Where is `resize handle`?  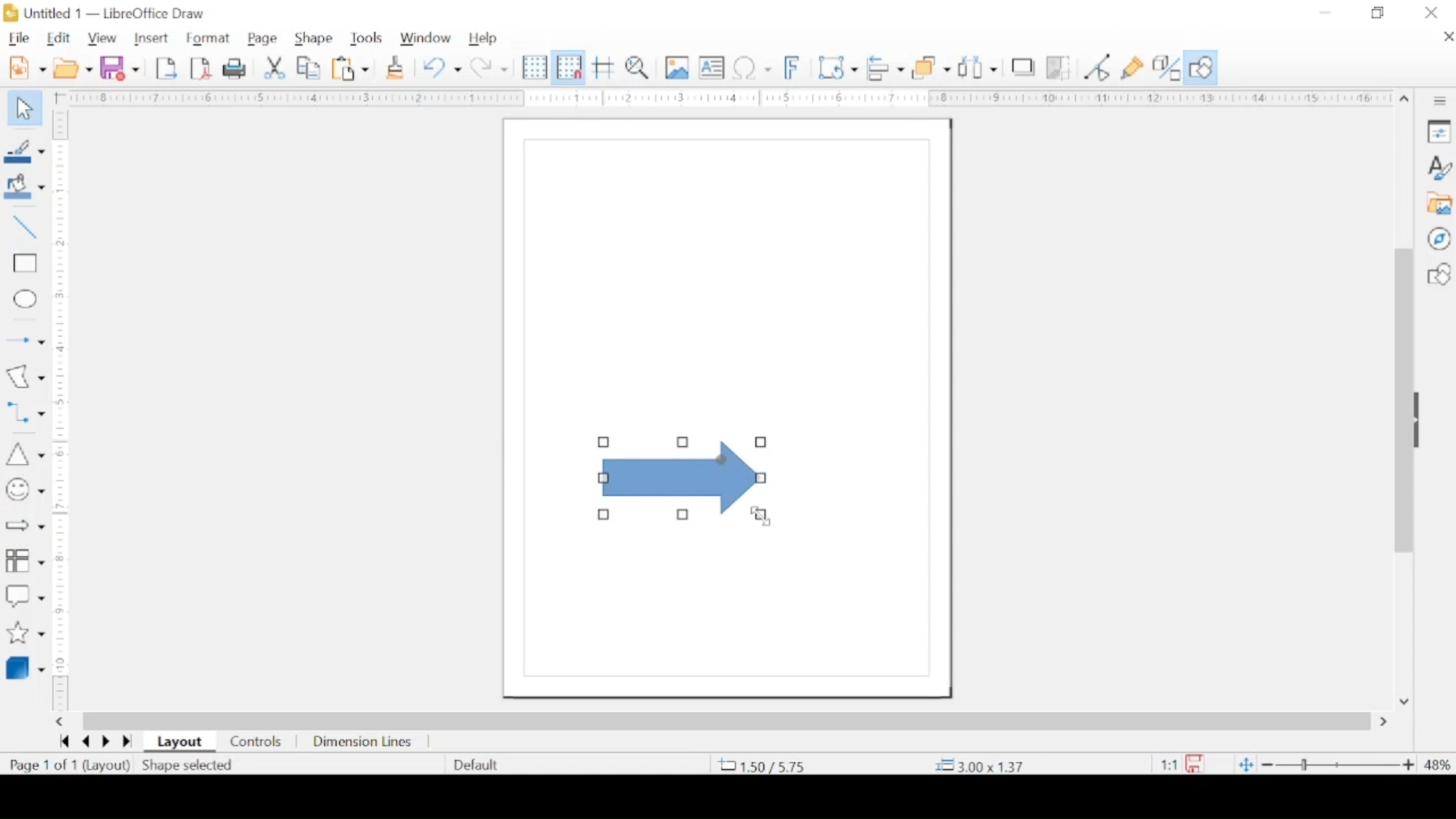 resize handle is located at coordinates (683, 514).